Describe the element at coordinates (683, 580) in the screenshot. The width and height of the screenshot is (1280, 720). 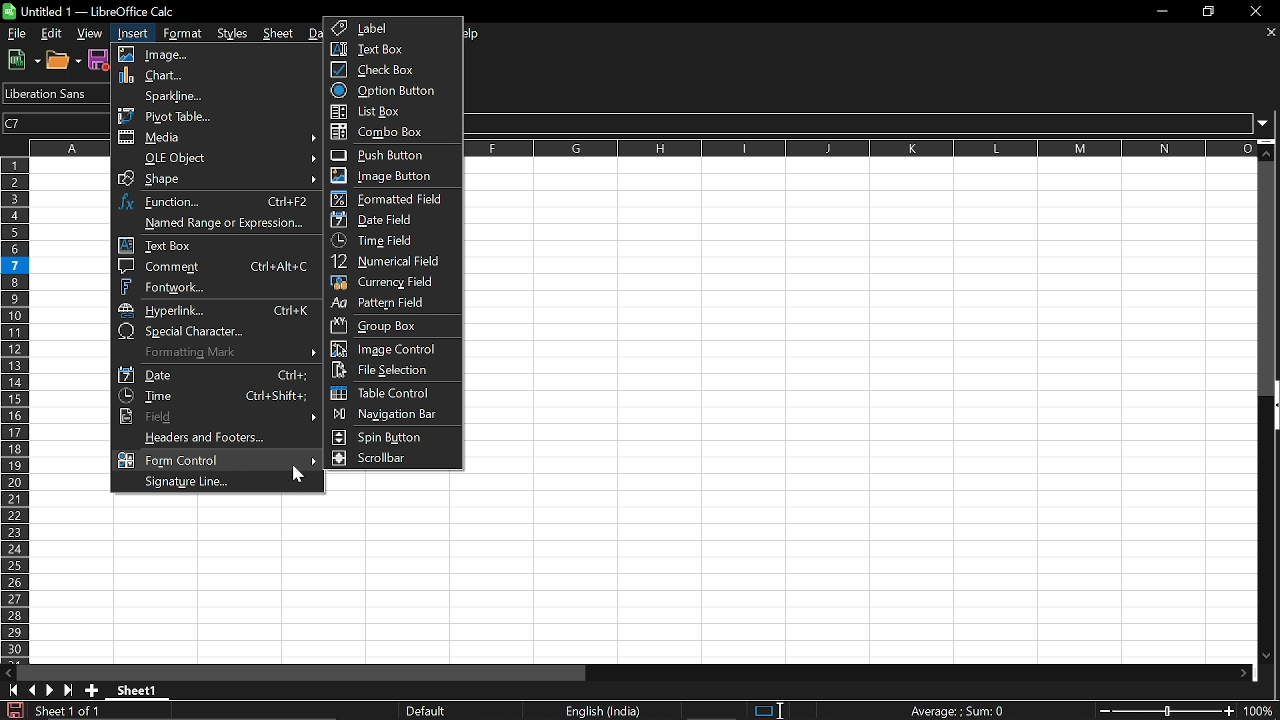
I see `Fillable cells` at that location.